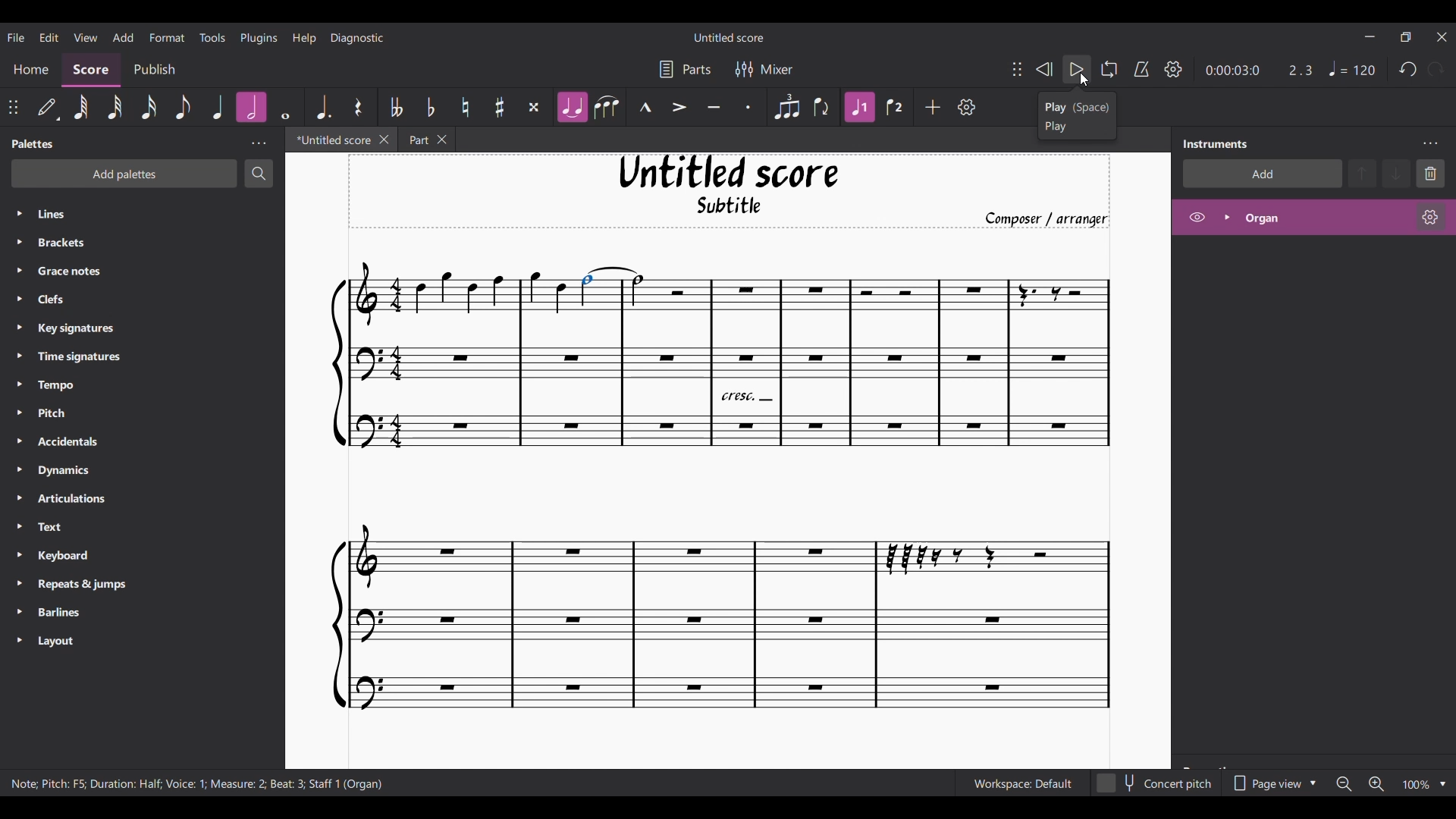 This screenshot has width=1456, height=819. Describe the element at coordinates (1416, 785) in the screenshot. I see `Zoom factor` at that location.